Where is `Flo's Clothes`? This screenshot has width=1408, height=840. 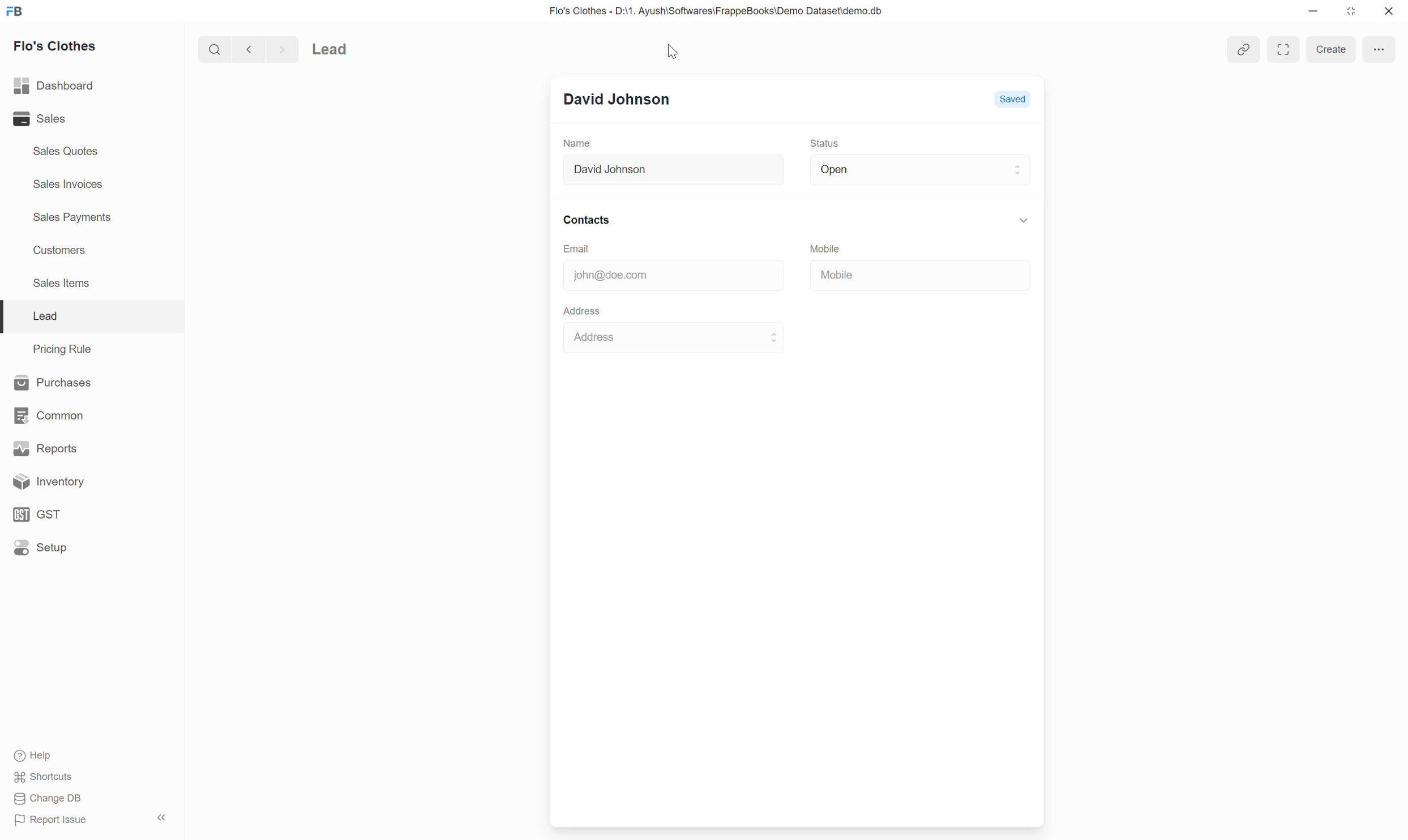 Flo's Clothes is located at coordinates (60, 46).